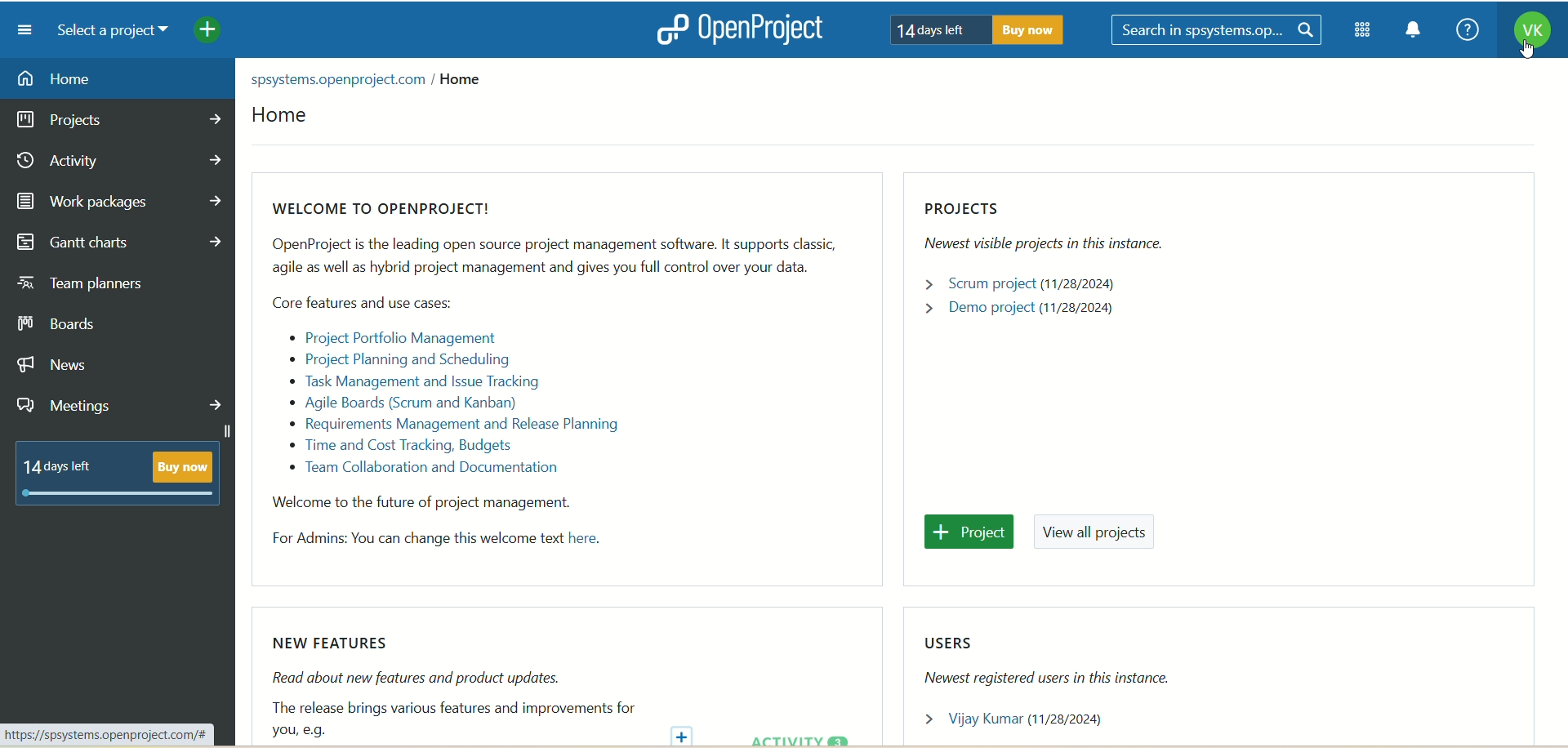  What do you see at coordinates (280, 119) in the screenshot?
I see `home` at bounding box center [280, 119].